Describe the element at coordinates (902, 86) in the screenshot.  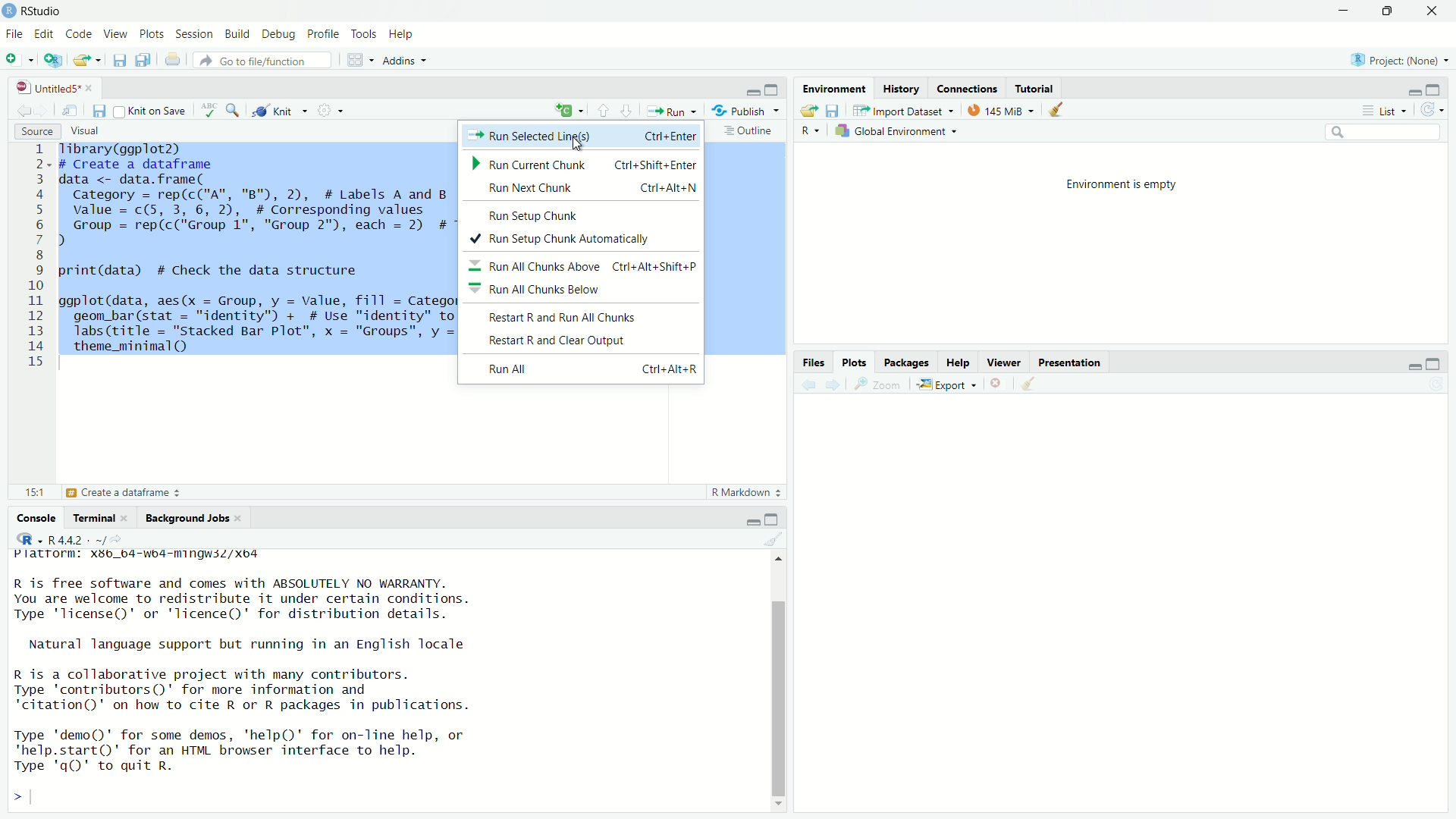
I see `History` at that location.